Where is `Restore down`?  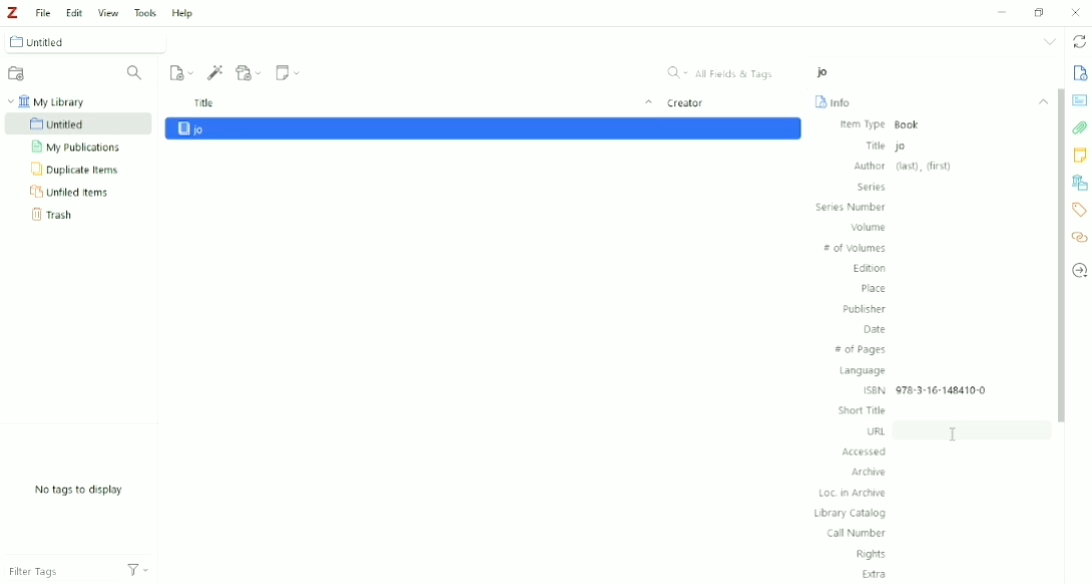
Restore down is located at coordinates (1038, 12).